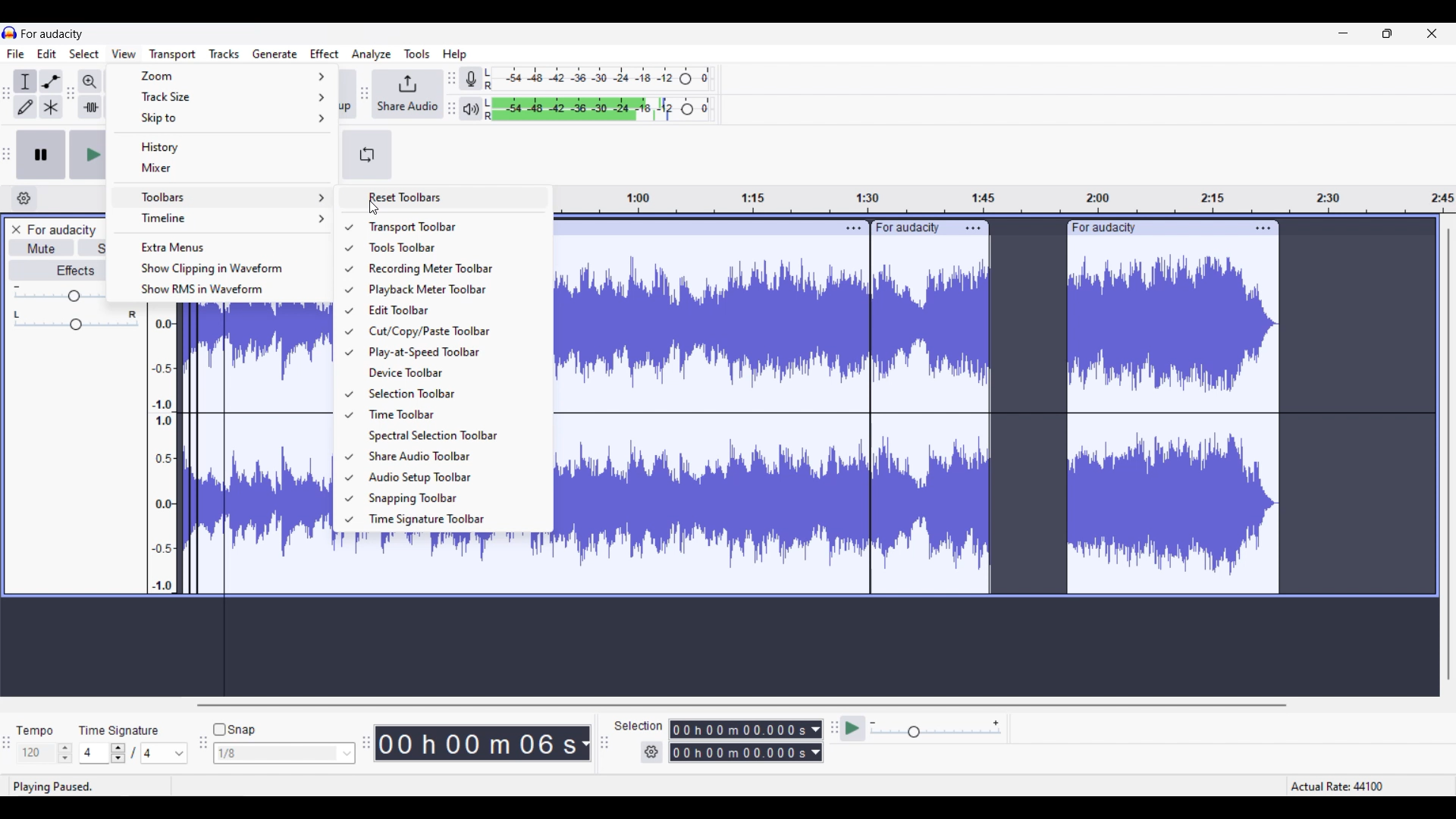 Image resolution: width=1456 pixels, height=819 pixels. What do you see at coordinates (275, 55) in the screenshot?
I see `Generate menu ` at bounding box center [275, 55].